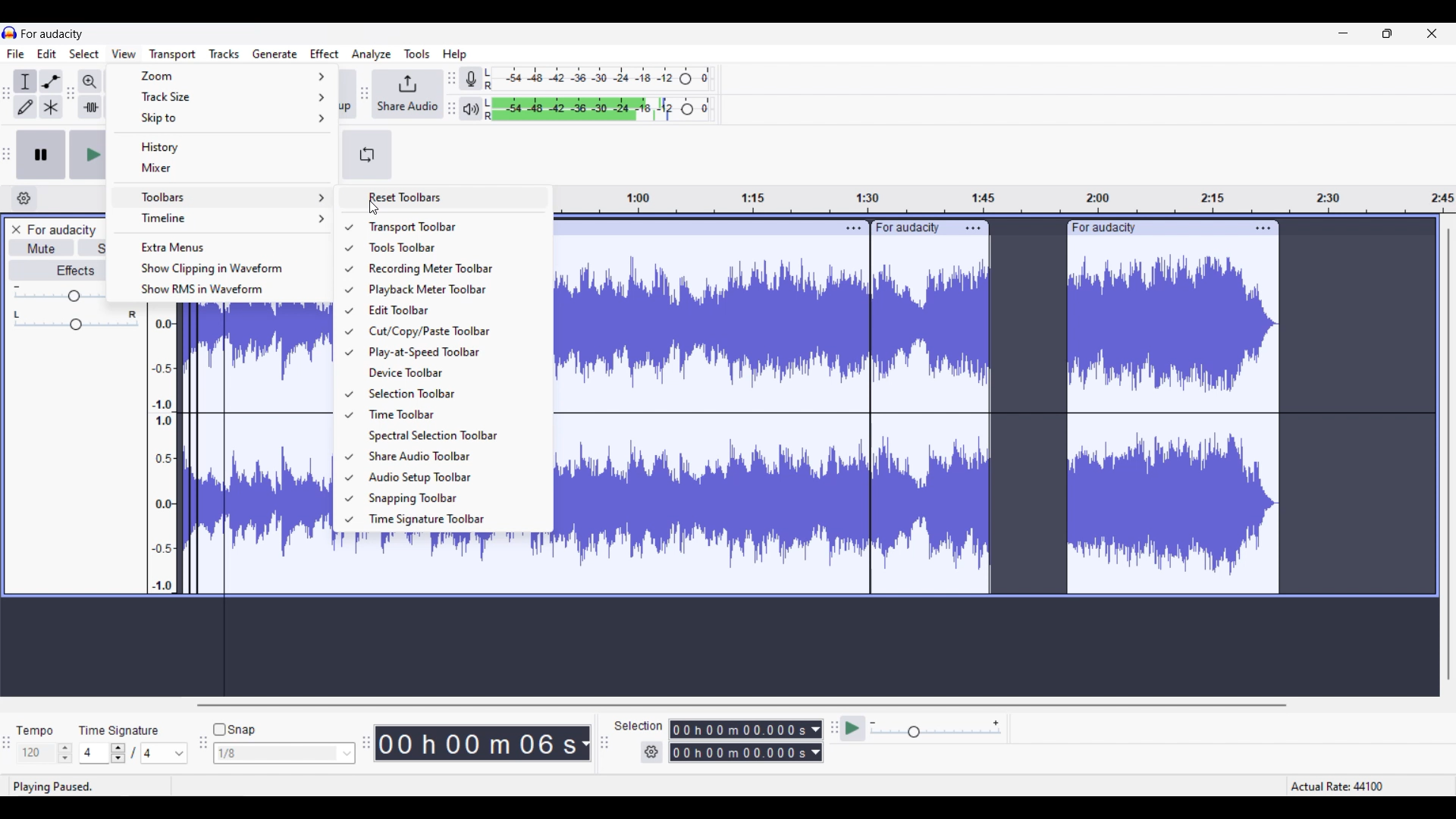 The image size is (1456, 819). Describe the element at coordinates (52, 33) in the screenshot. I see `For audacity` at that location.